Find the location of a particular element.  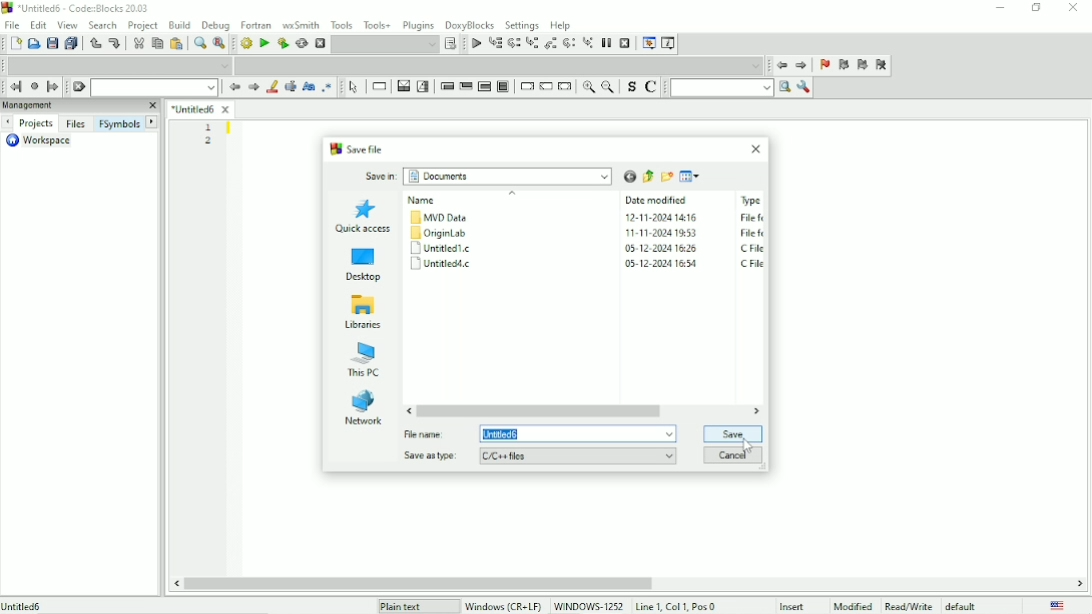

Type is located at coordinates (751, 230).